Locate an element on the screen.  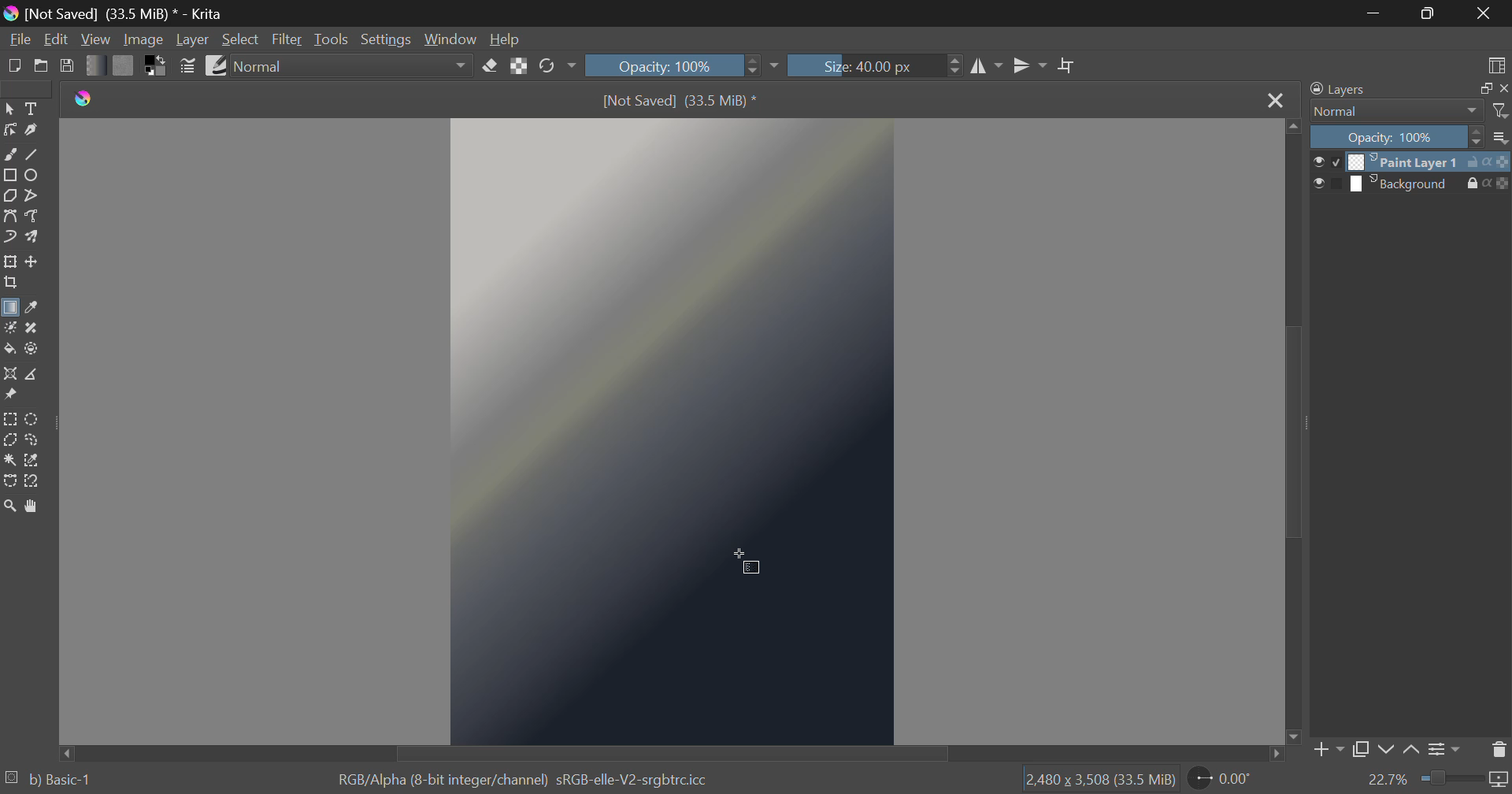
Fill is located at coordinates (9, 349).